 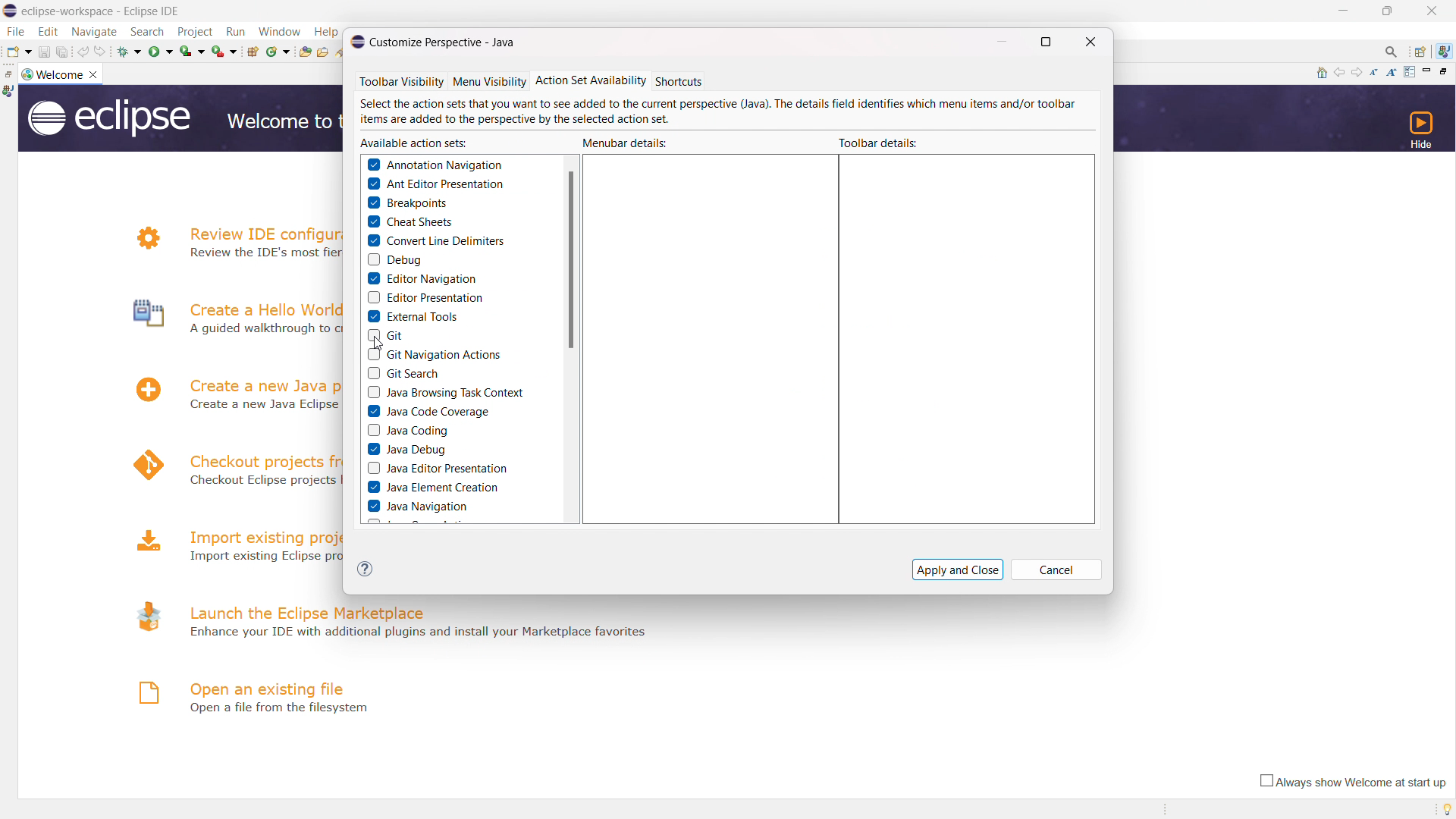 What do you see at coordinates (111, 10) in the screenshot?
I see `Title` at bounding box center [111, 10].